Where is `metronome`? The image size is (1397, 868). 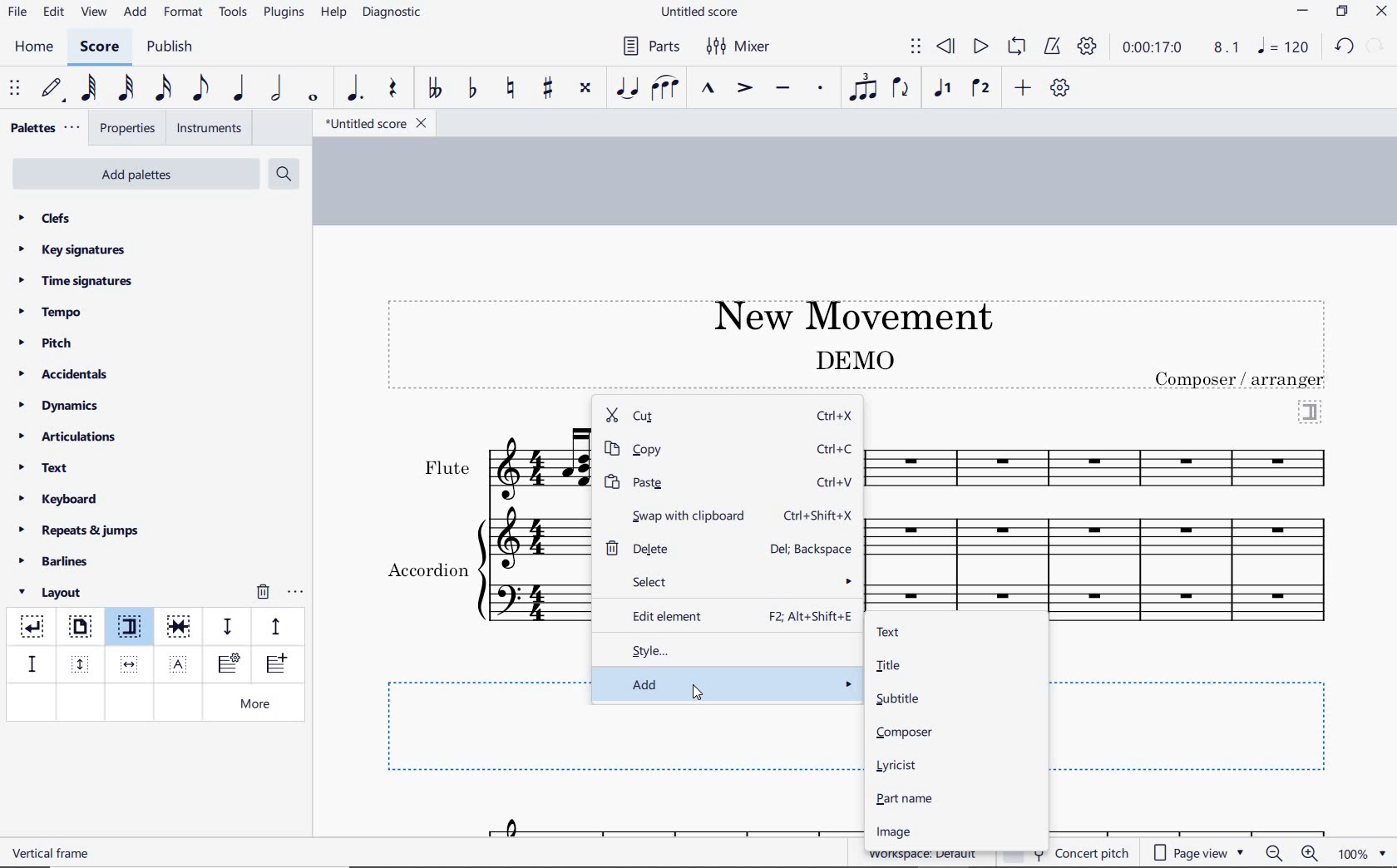 metronome is located at coordinates (1051, 47).